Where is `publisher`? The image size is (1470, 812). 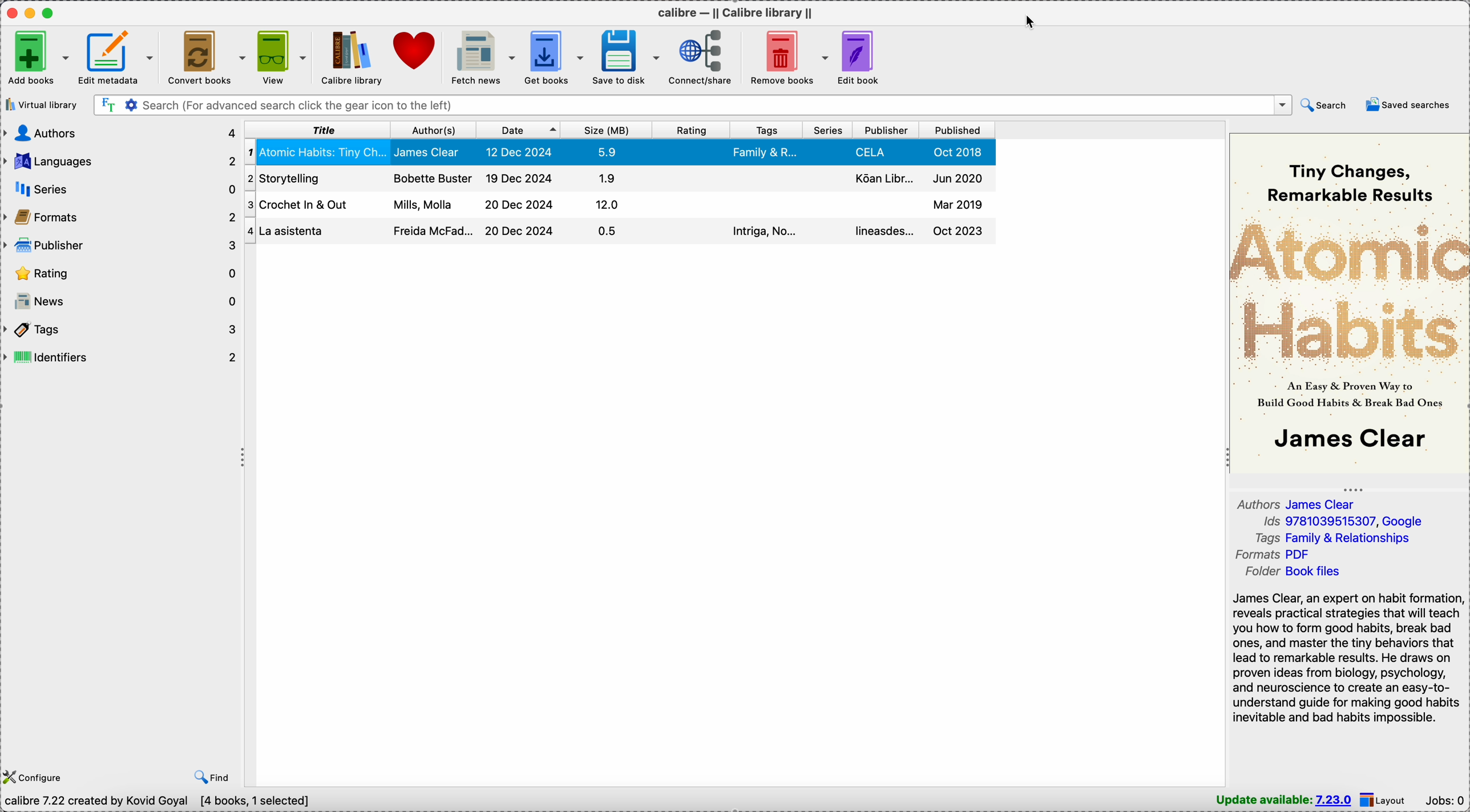 publisher is located at coordinates (122, 246).